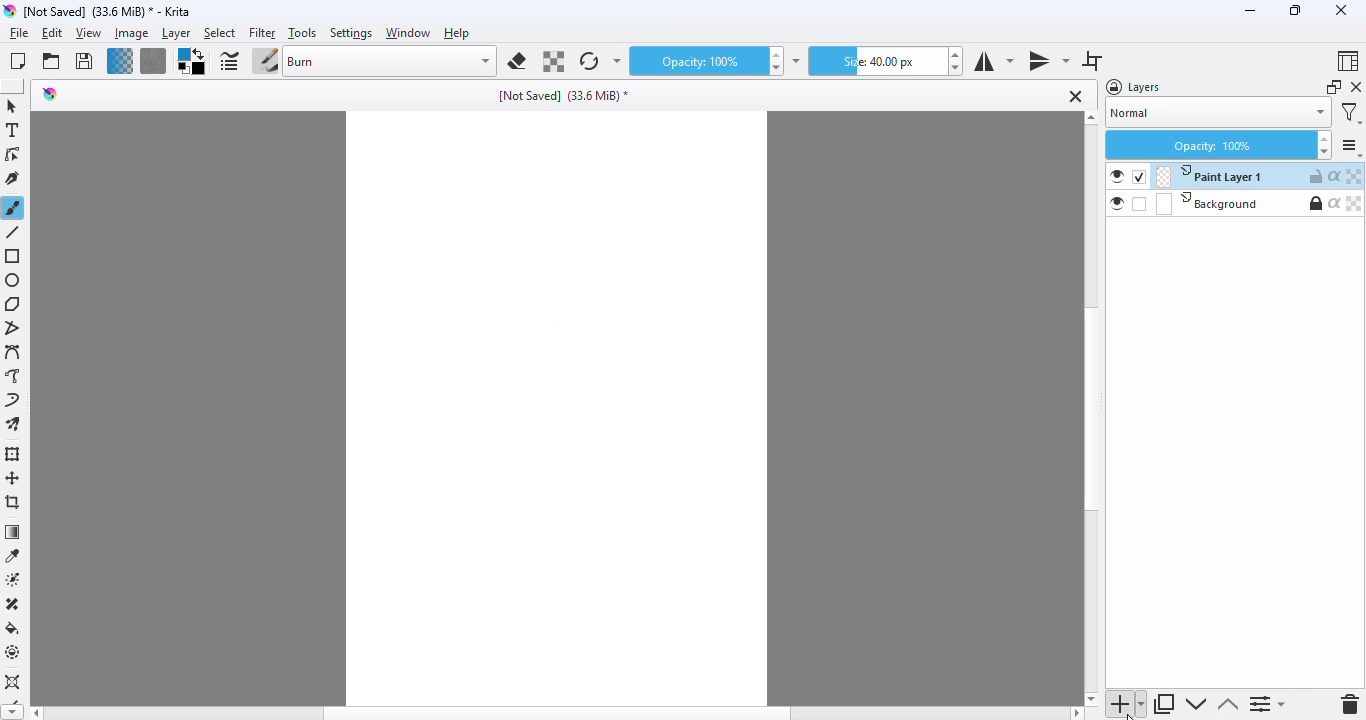 The height and width of the screenshot is (720, 1366). I want to click on scroll left, so click(1077, 713).